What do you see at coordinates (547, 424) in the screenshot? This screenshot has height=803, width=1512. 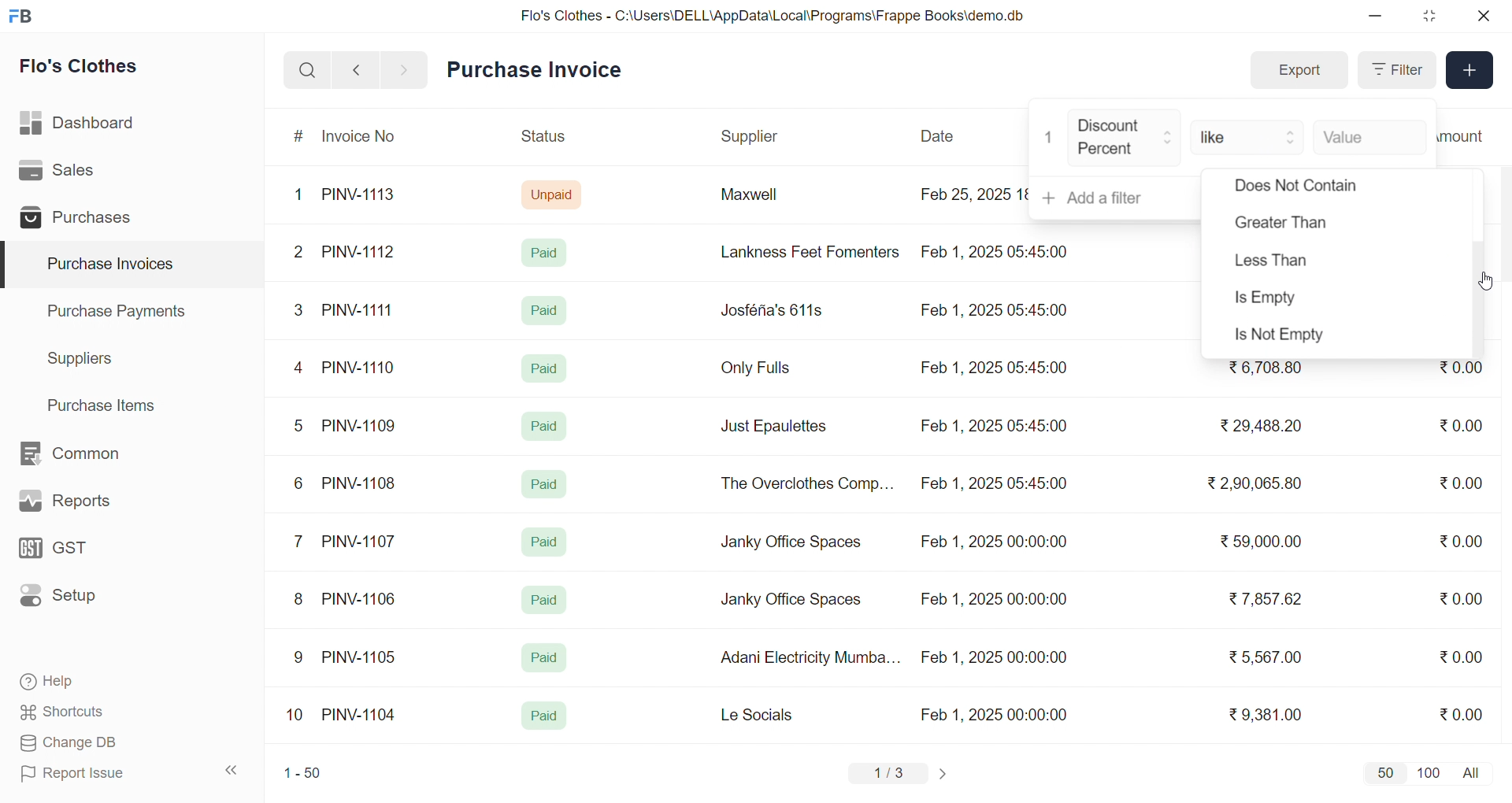 I see `Paid` at bounding box center [547, 424].